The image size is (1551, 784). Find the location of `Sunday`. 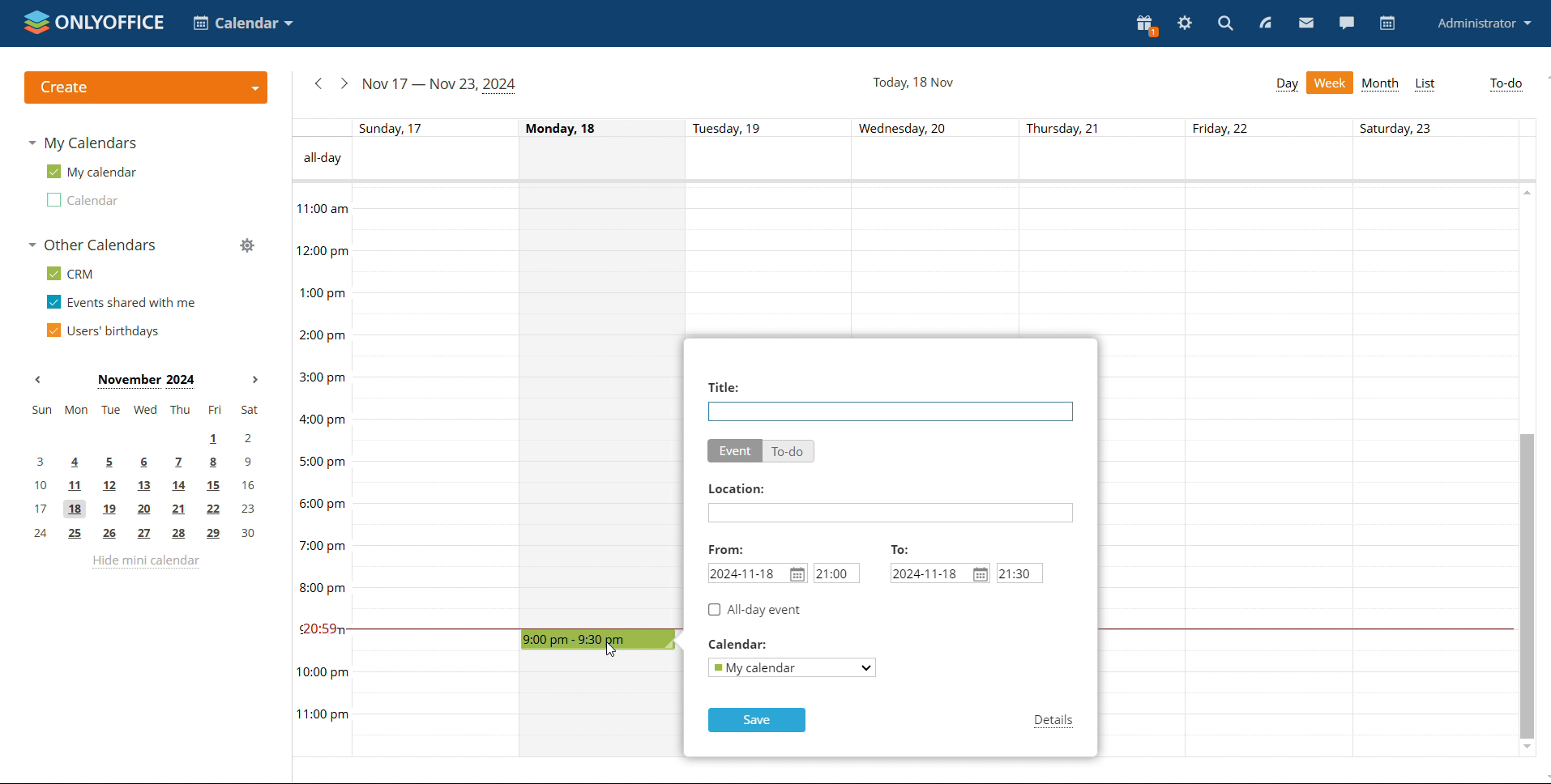

Sunday is located at coordinates (438, 471).